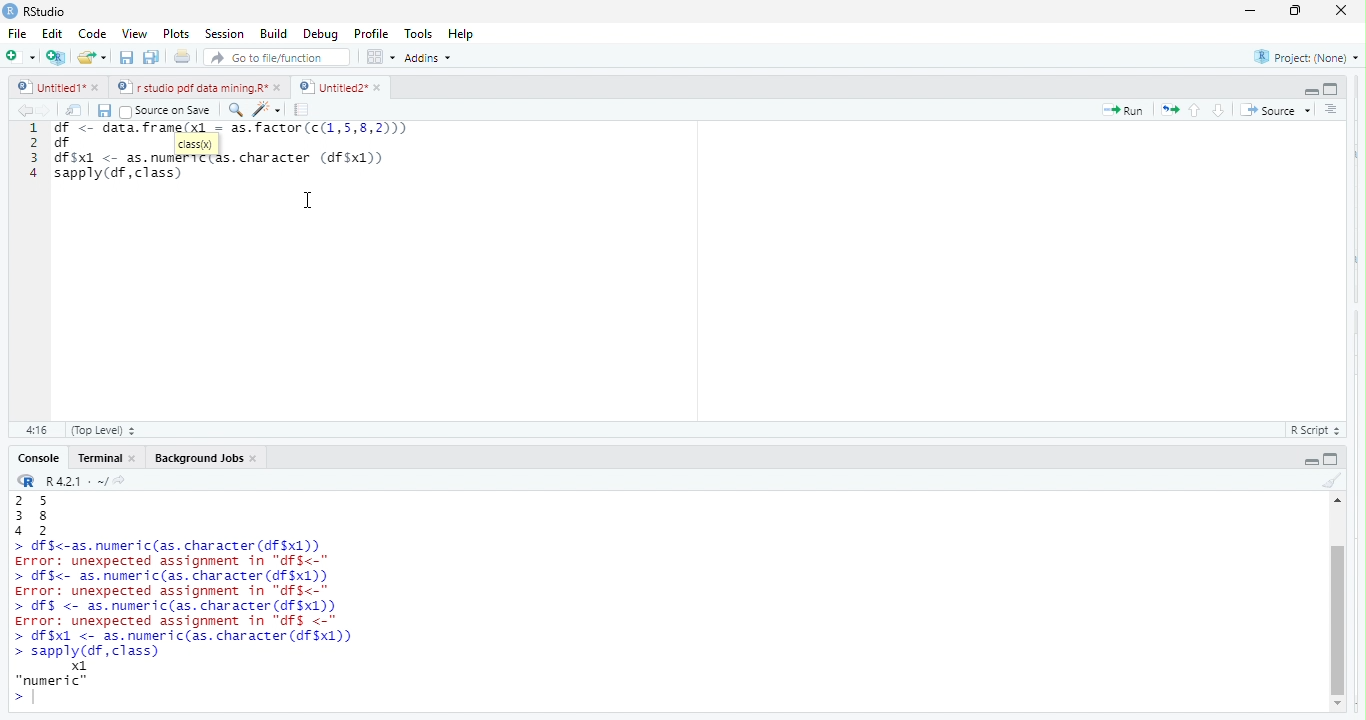  Describe the element at coordinates (1341, 703) in the screenshot. I see `scroll down` at that location.